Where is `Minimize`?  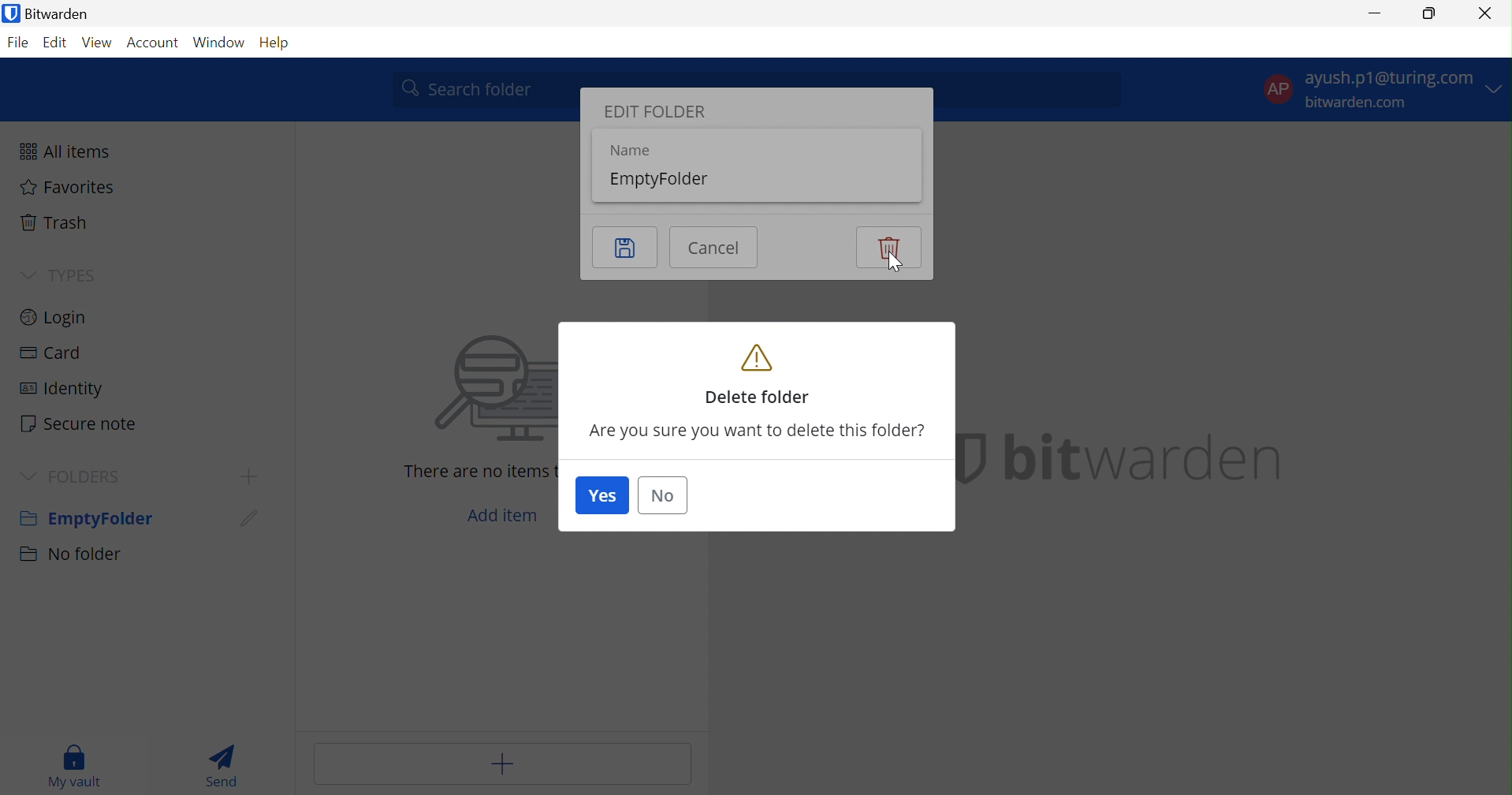 Minimize is located at coordinates (1372, 13).